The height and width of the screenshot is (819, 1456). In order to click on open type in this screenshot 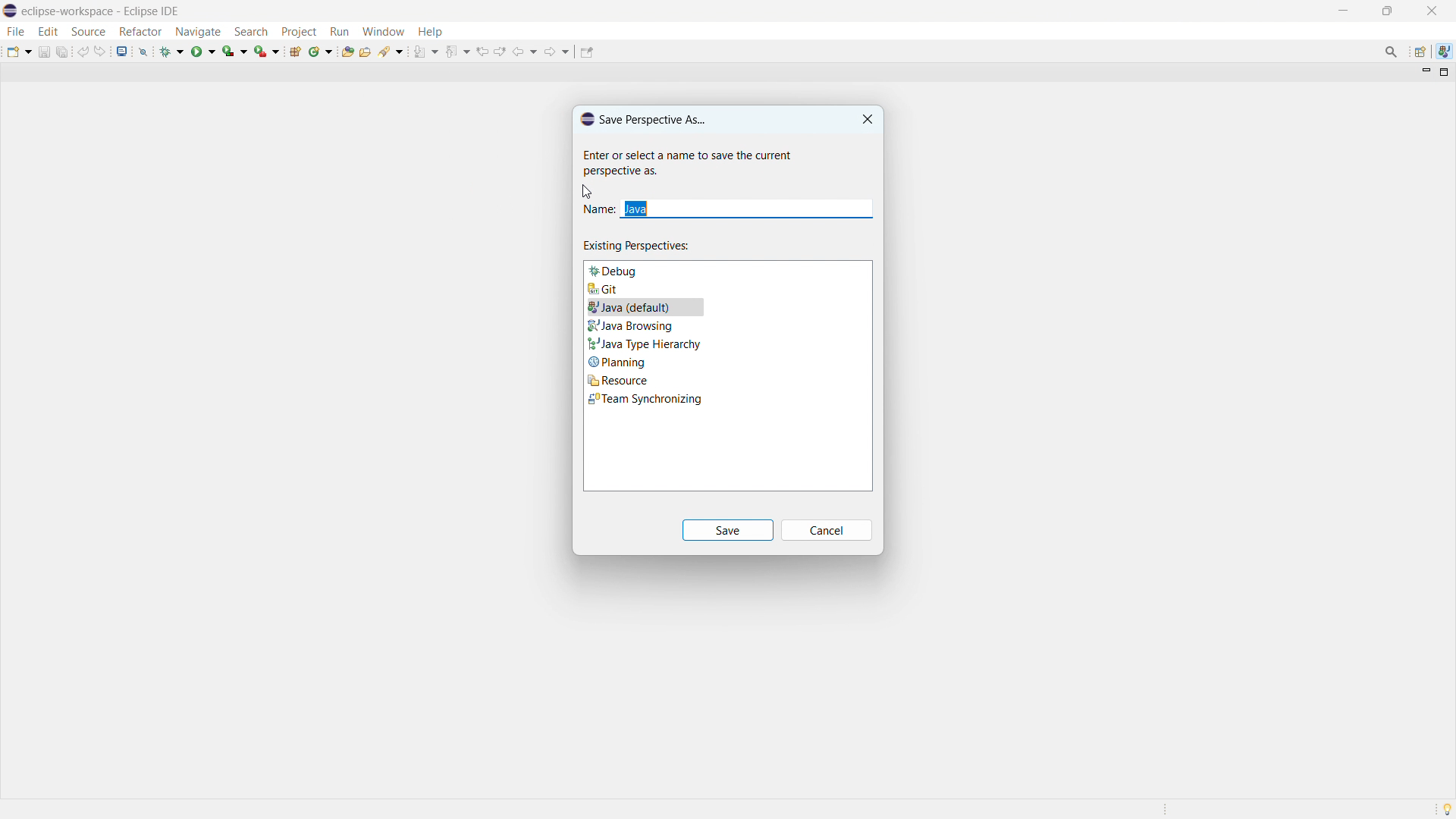, I will do `click(347, 52)`.